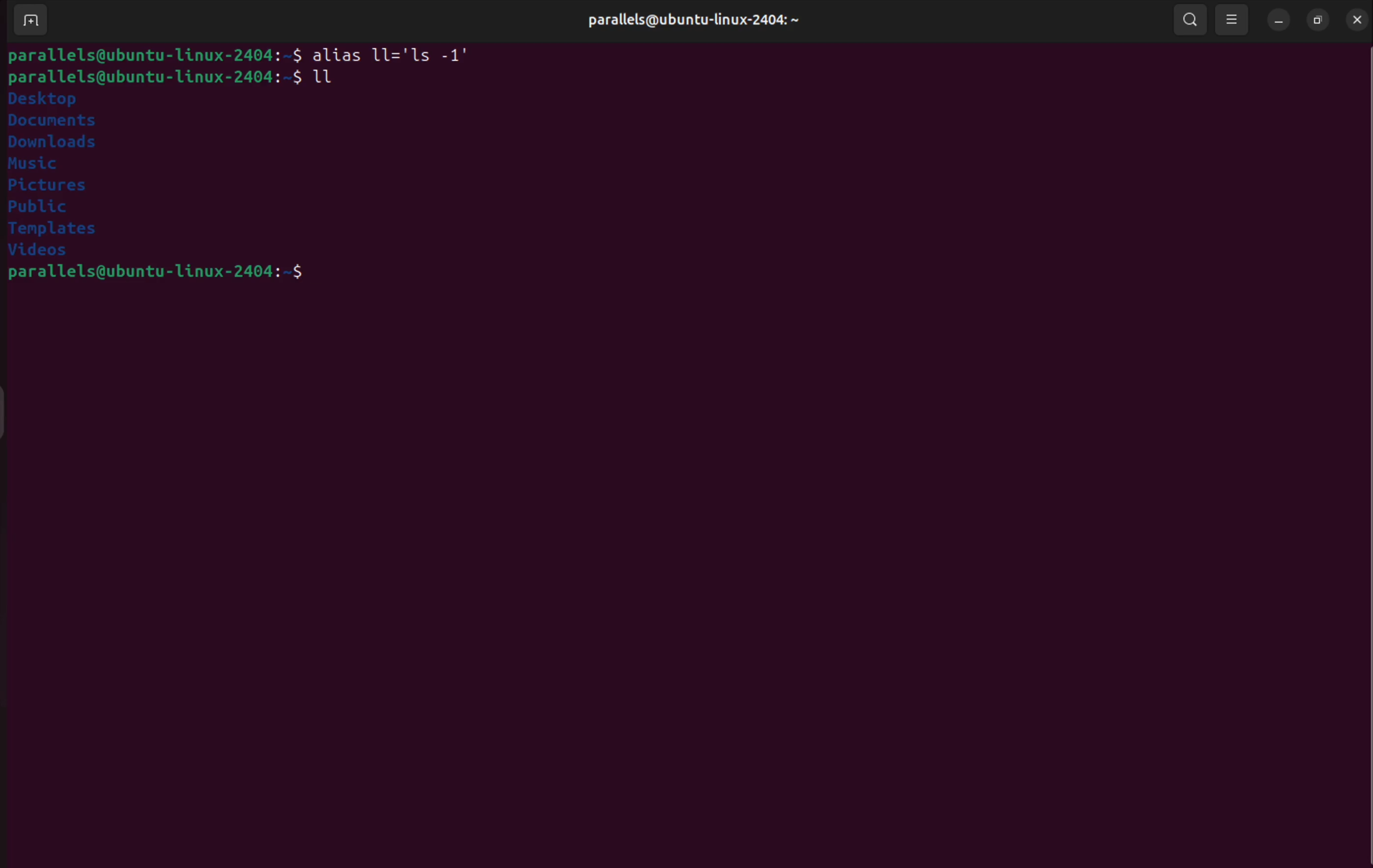 This screenshot has width=1373, height=868. Describe the element at coordinates (319, 80) in the screenshot. I see `cursor` at that location.